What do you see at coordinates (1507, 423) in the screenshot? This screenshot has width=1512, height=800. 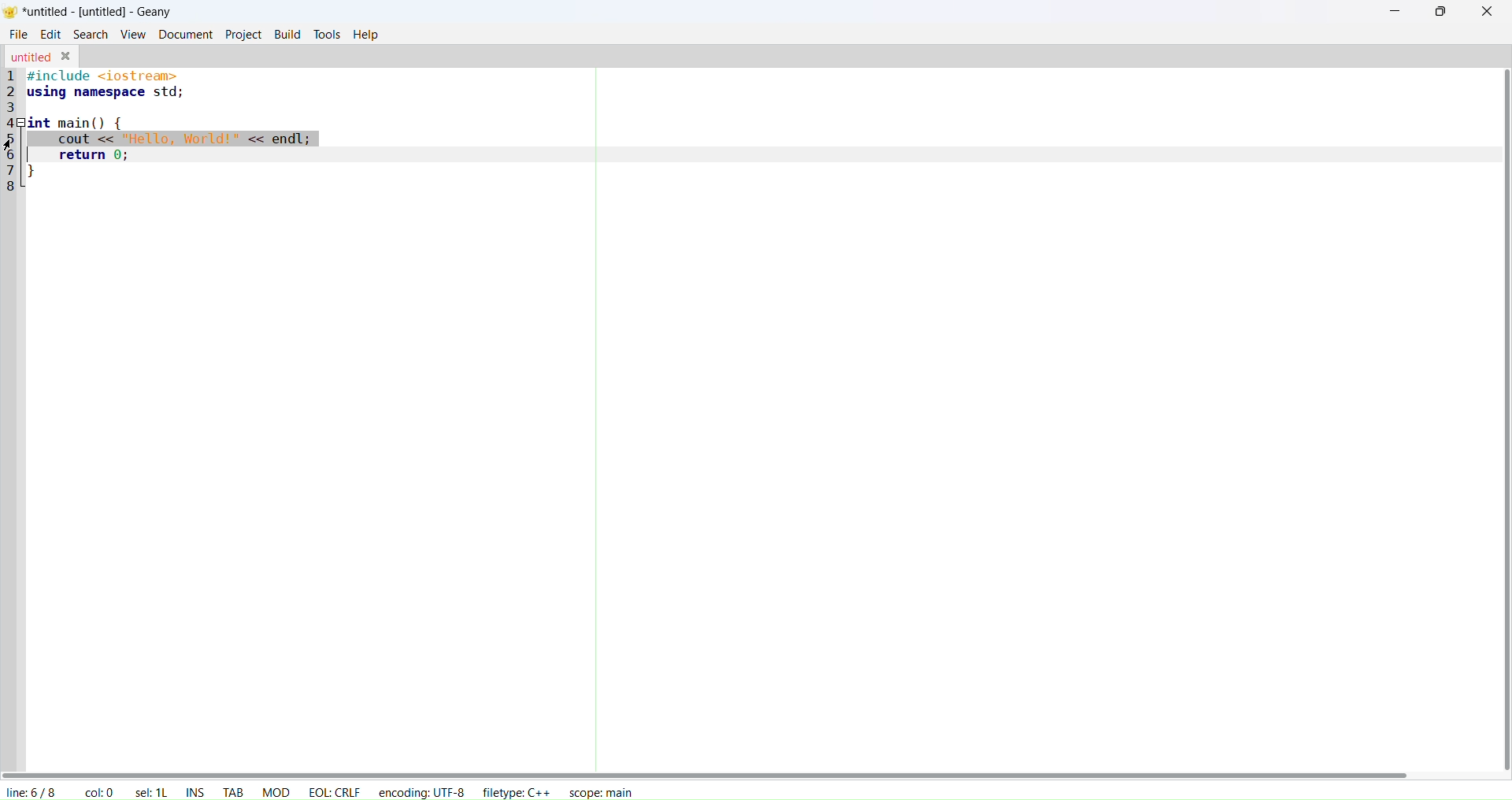 I see `vertical scroll bar` at bounding box center [1507, 423].